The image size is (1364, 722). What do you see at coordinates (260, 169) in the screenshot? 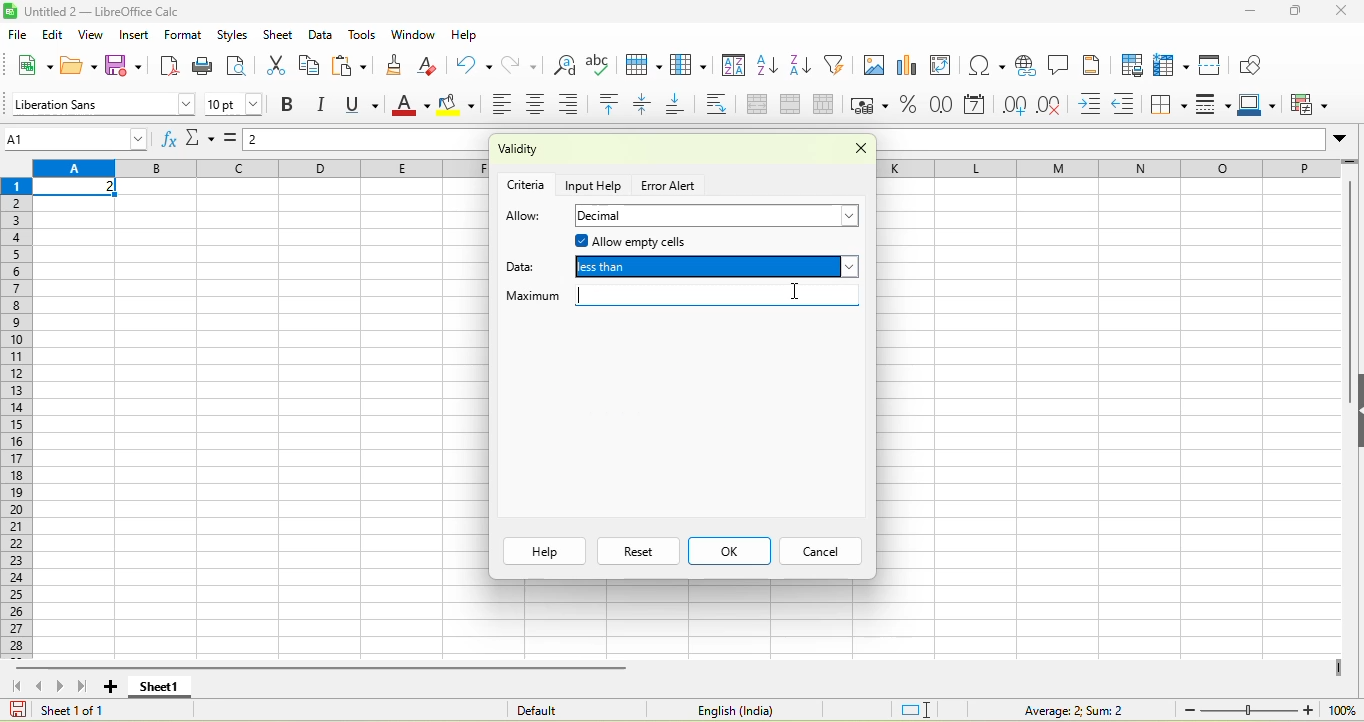
I see `column headings` at bounding box center [260, 169].